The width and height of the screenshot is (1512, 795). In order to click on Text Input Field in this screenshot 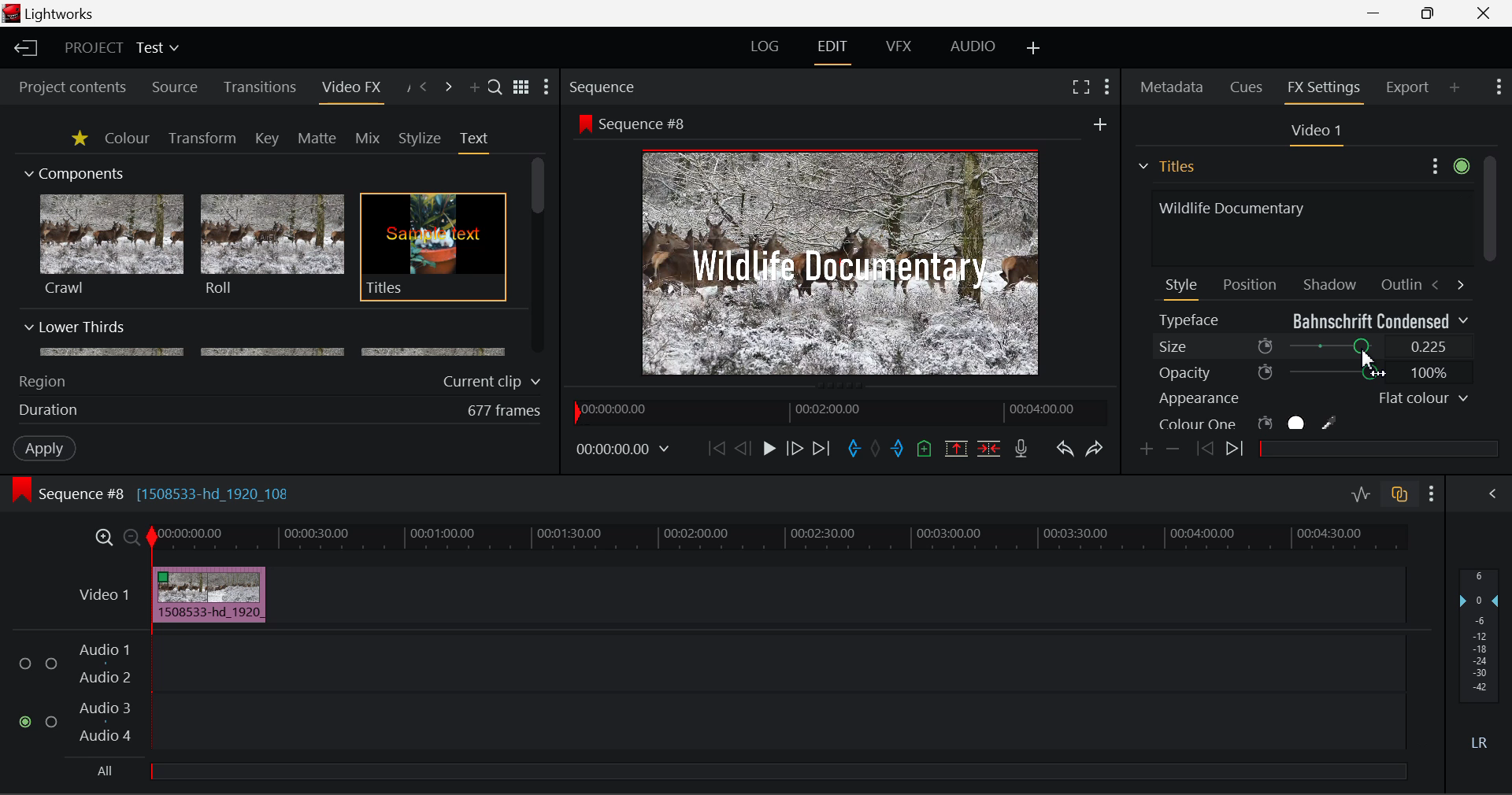, I will do `click(1307, 226)`.